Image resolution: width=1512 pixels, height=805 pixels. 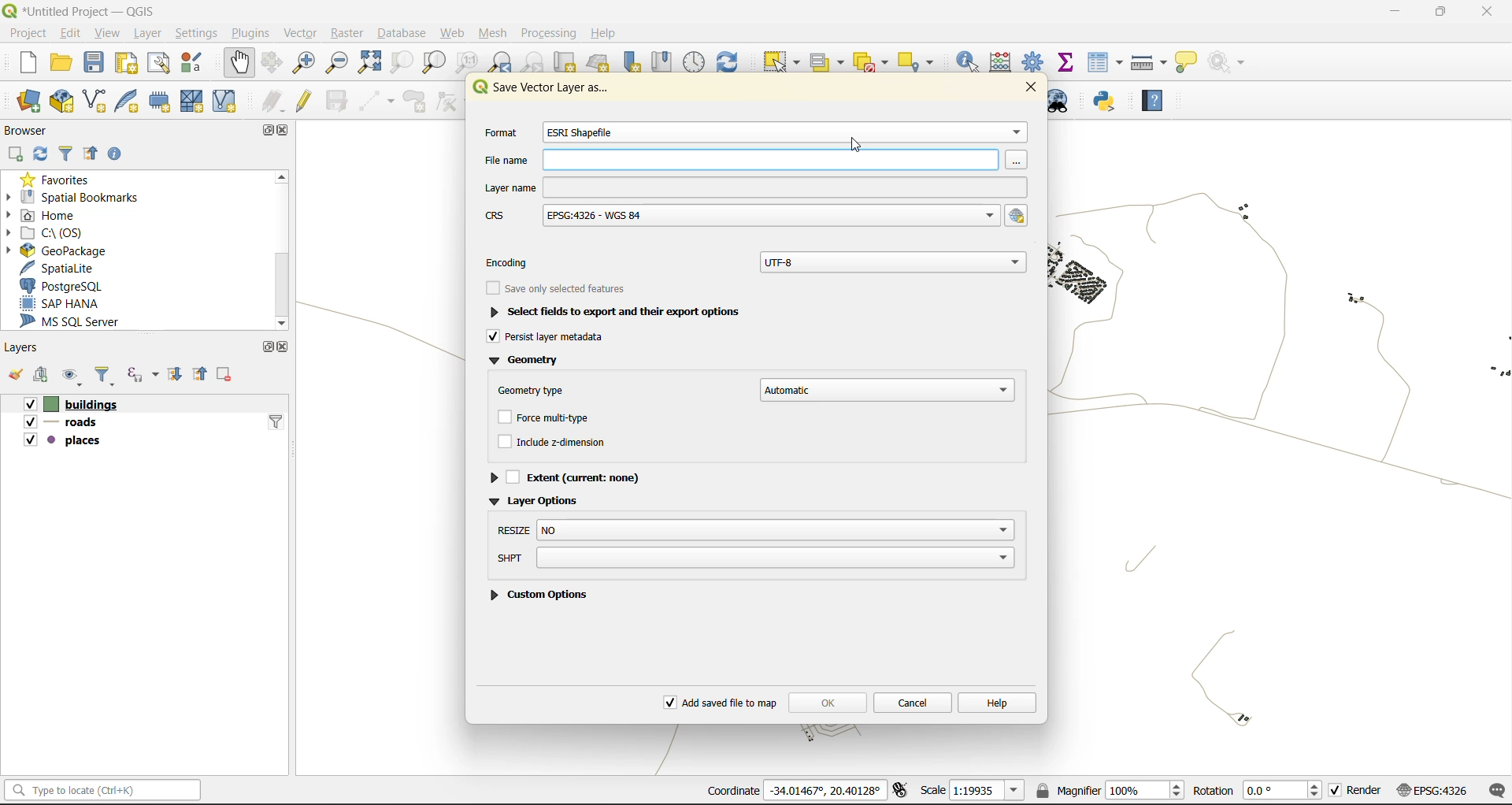 I want to click on refresh, so click(x=731, y=61).